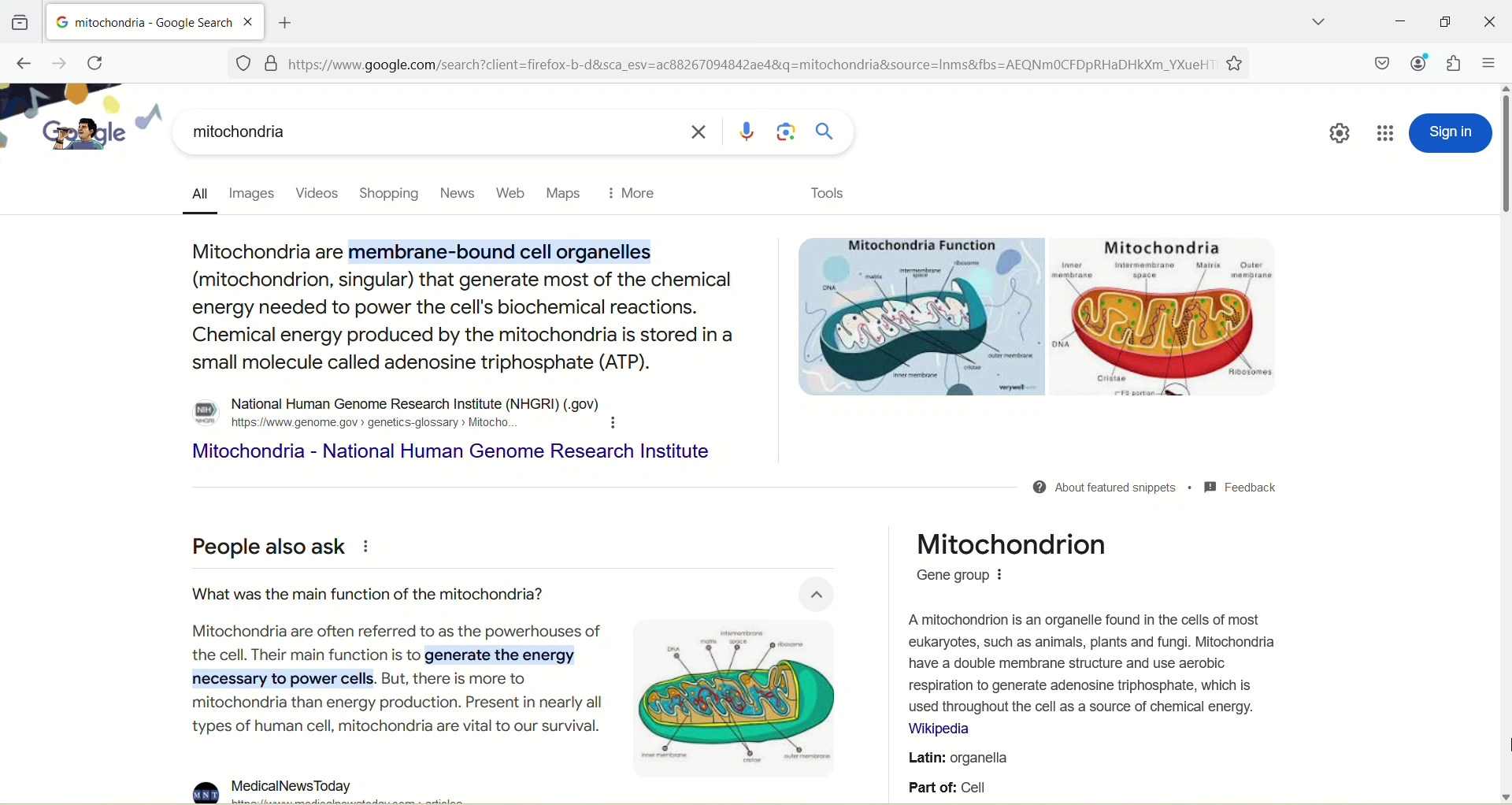 The width and height of the screenshot is (1512, 805). Describe the element at coordinates (1503, 90) in the screenshot. I see `scroll up` at that location.